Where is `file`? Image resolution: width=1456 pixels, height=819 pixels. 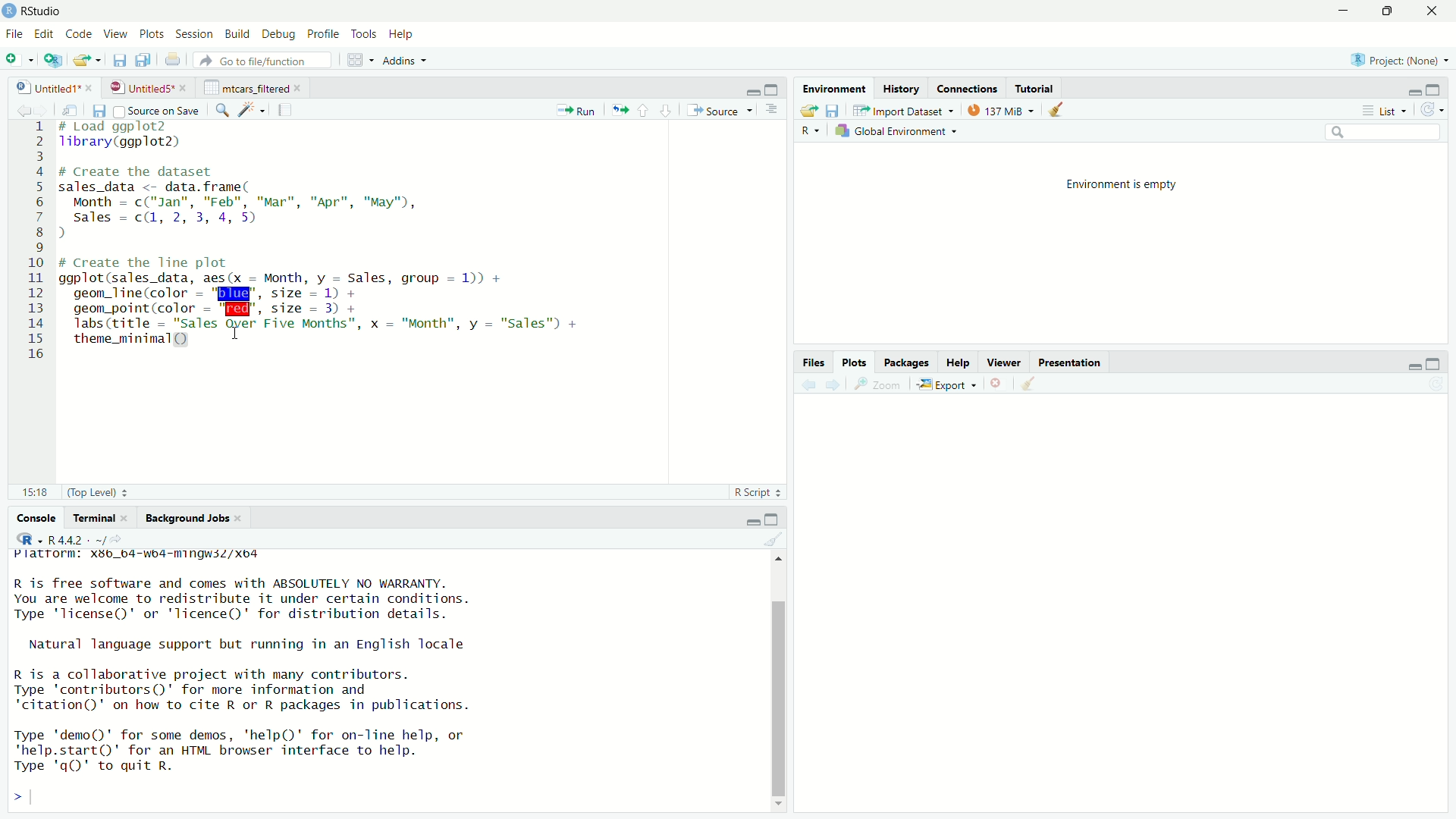 file is located at coordinates (15, 34).